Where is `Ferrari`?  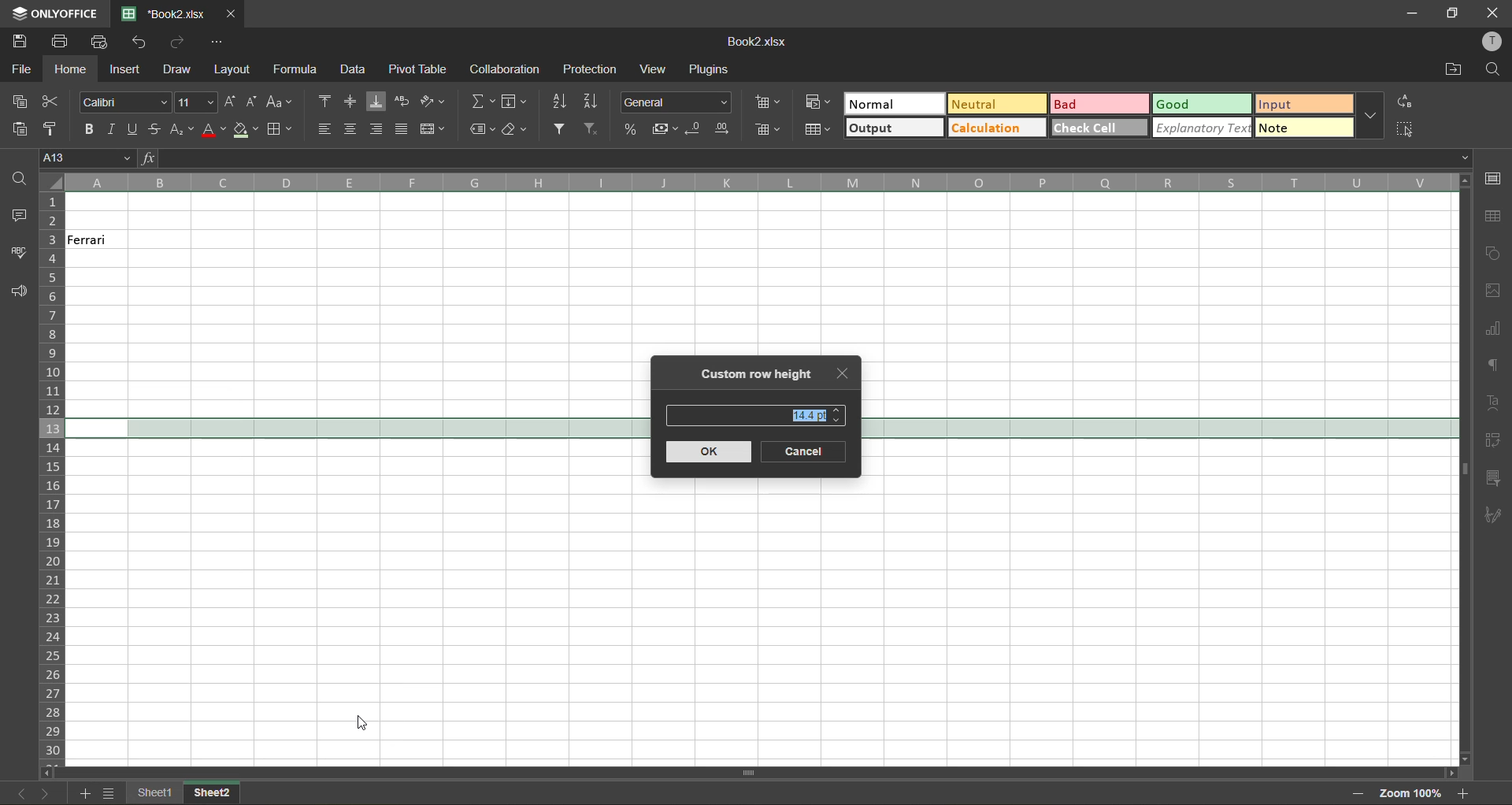
Ferrari is located at coordinates (99, 240).